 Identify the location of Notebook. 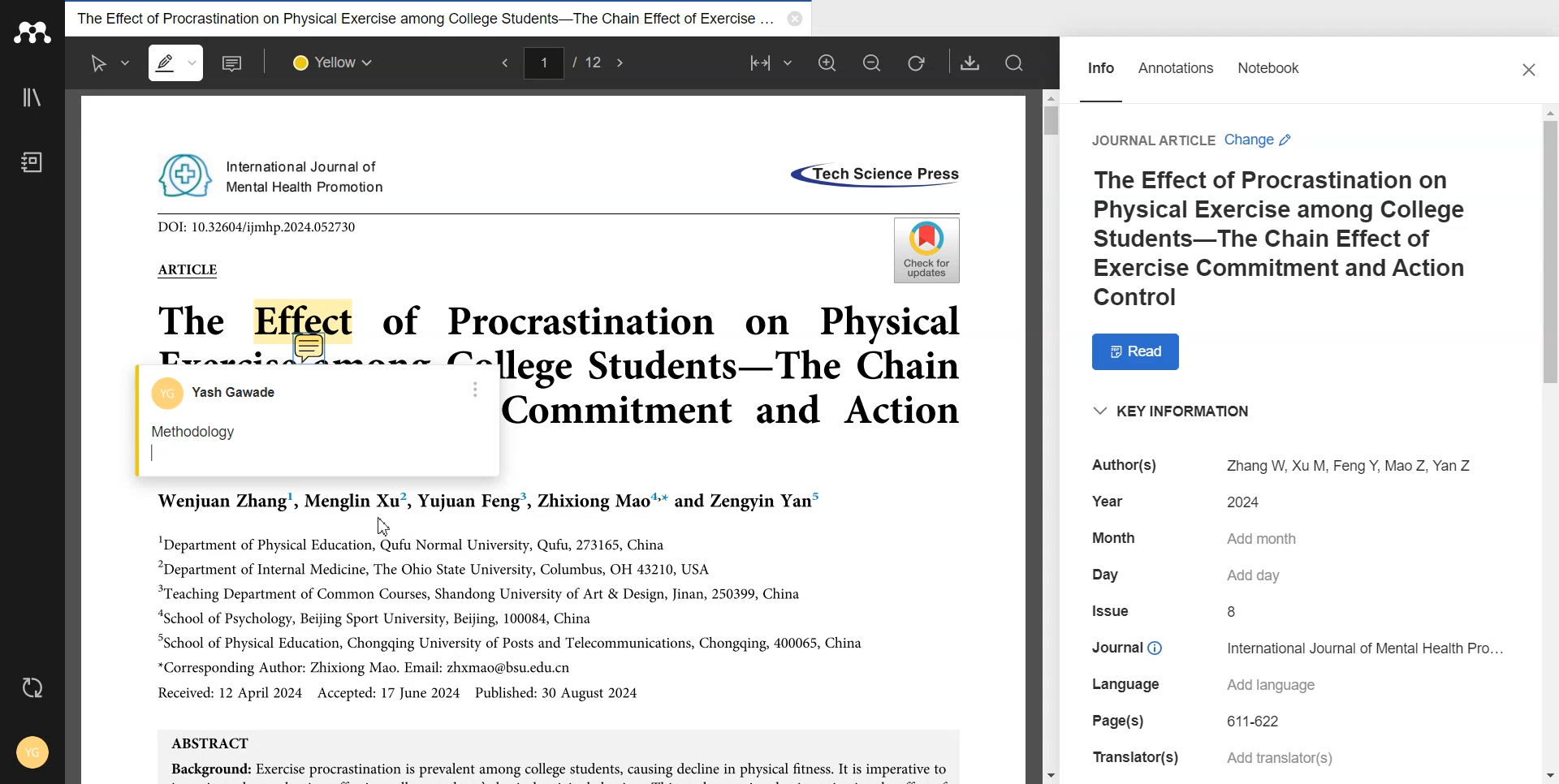
(32, 162).